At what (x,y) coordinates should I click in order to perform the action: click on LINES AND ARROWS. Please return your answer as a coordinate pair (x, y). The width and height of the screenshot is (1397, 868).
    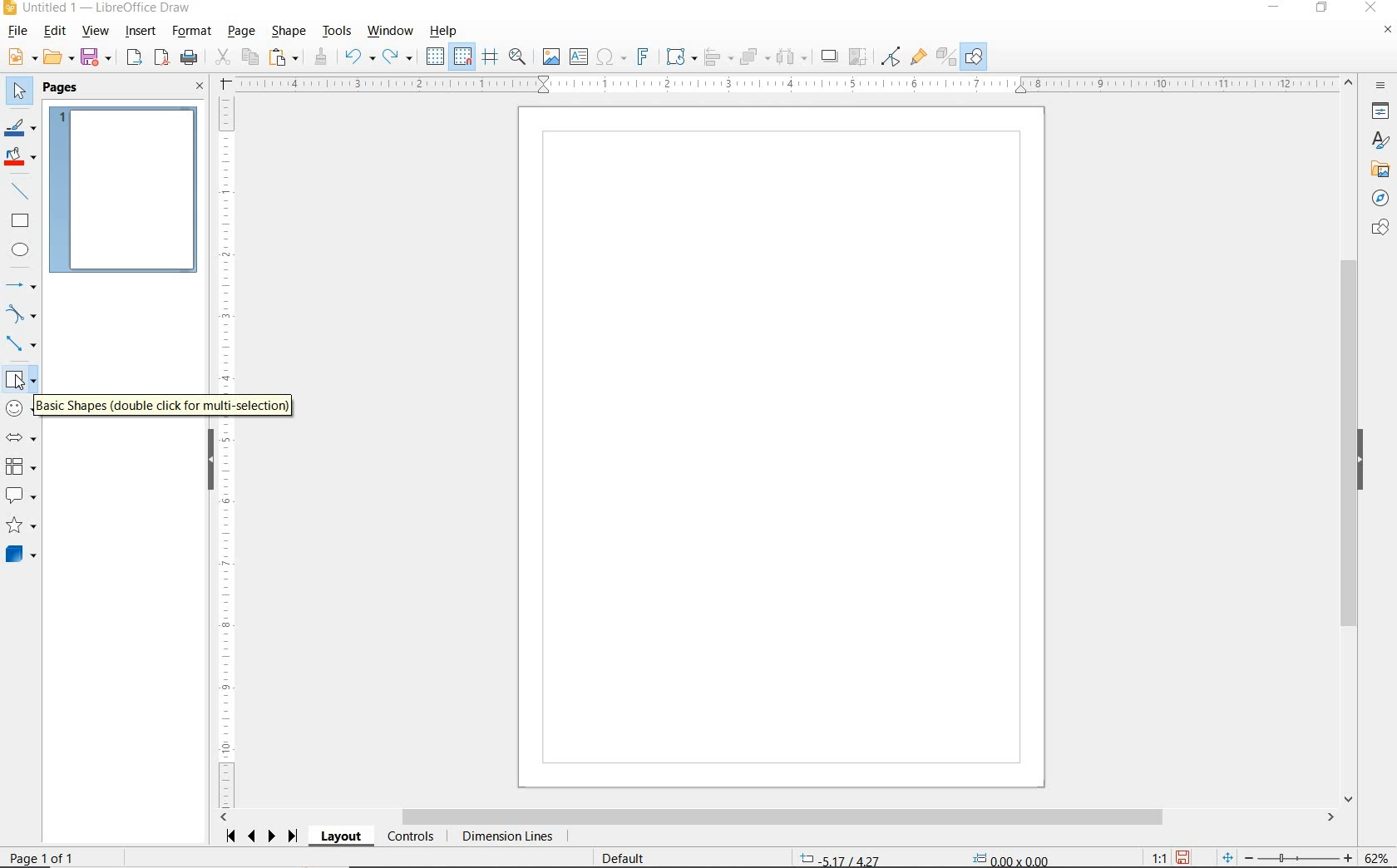
    Looking at the image, I should click on (22, 285).